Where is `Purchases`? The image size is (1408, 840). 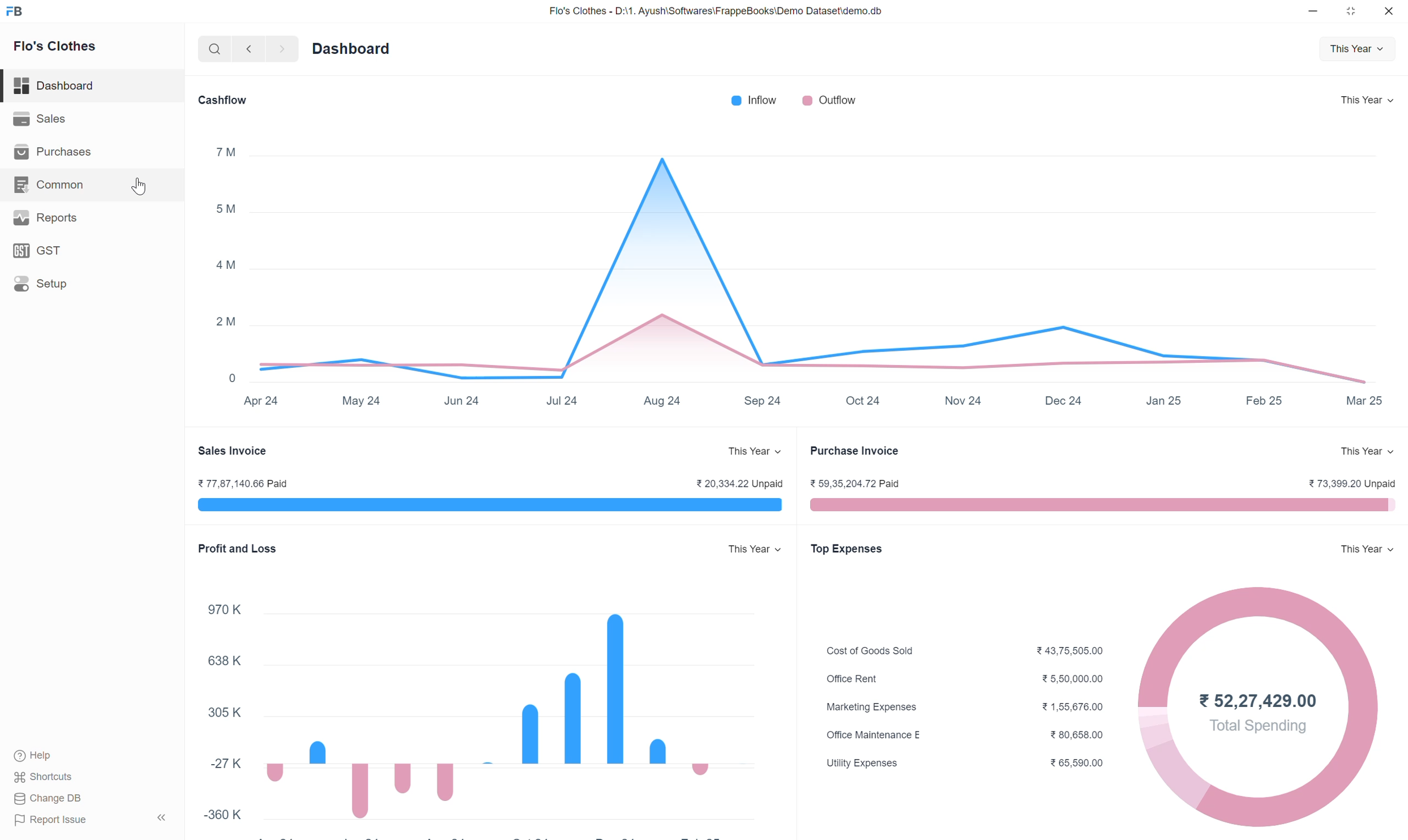 Purchases is located at coordinates (57, 151).